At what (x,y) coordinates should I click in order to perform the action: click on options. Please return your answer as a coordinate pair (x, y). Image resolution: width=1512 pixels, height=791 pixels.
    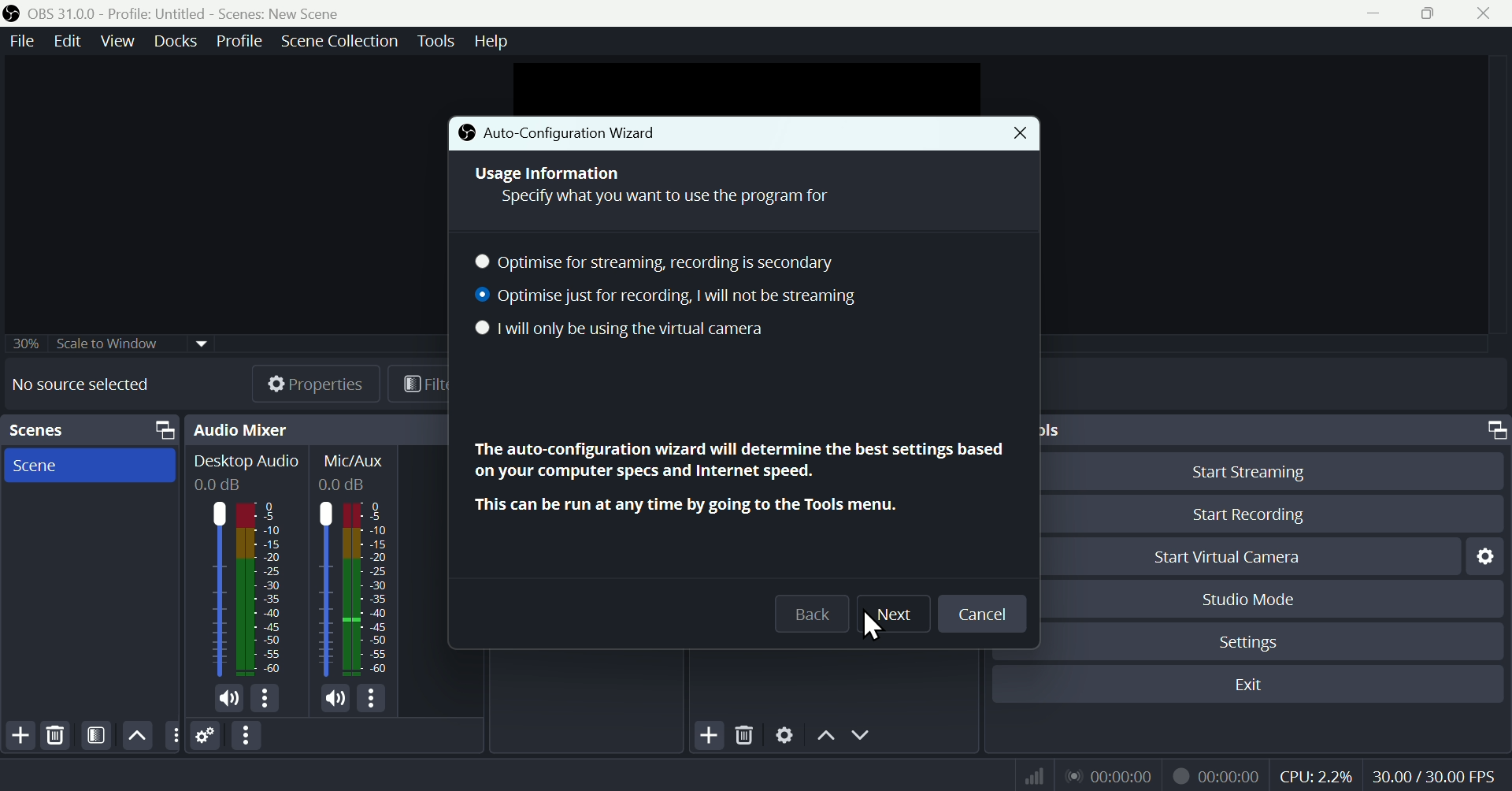
    Looking at the image, I should click on (264, 698).